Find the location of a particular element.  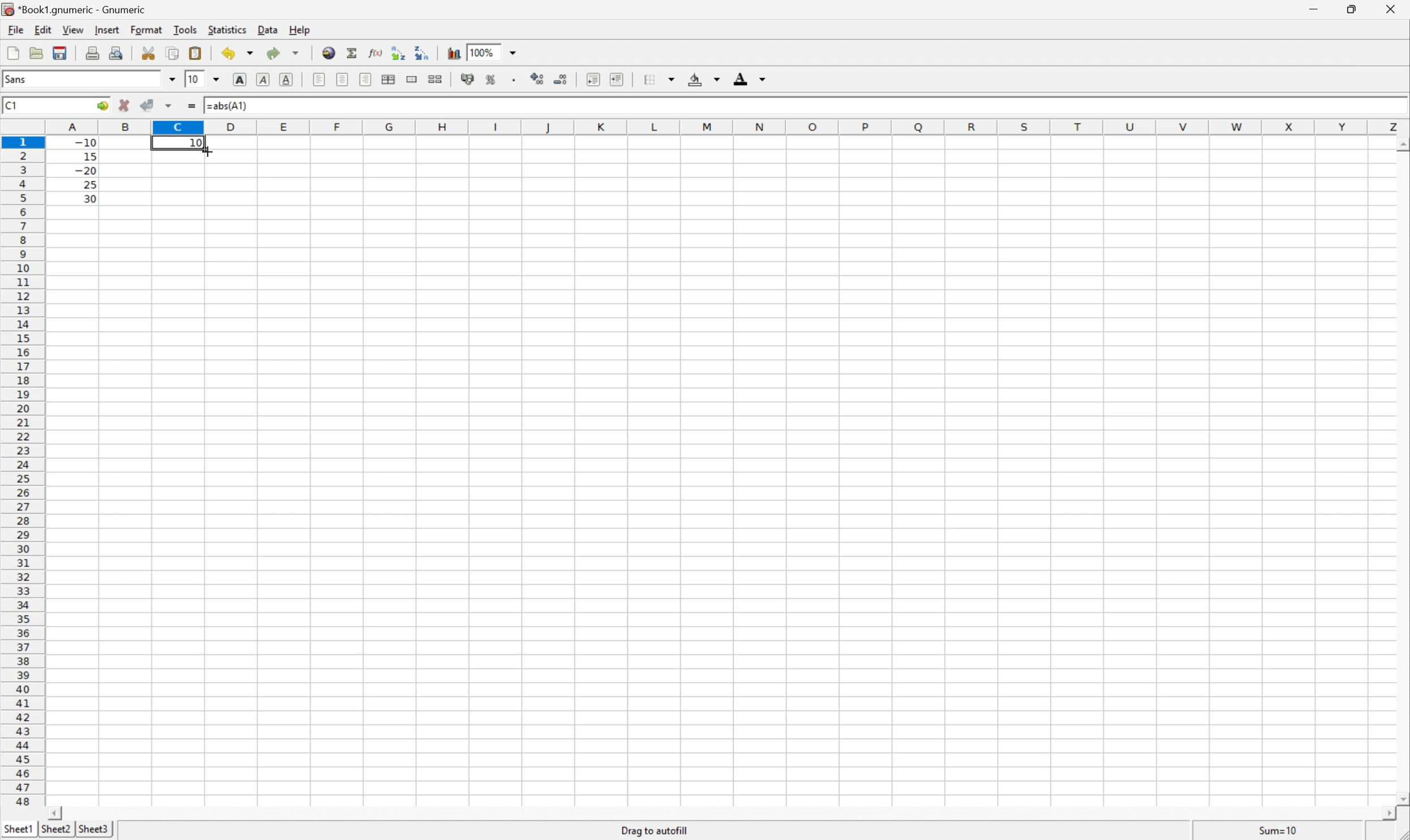

Cursor is located at coordinates (209, 151).